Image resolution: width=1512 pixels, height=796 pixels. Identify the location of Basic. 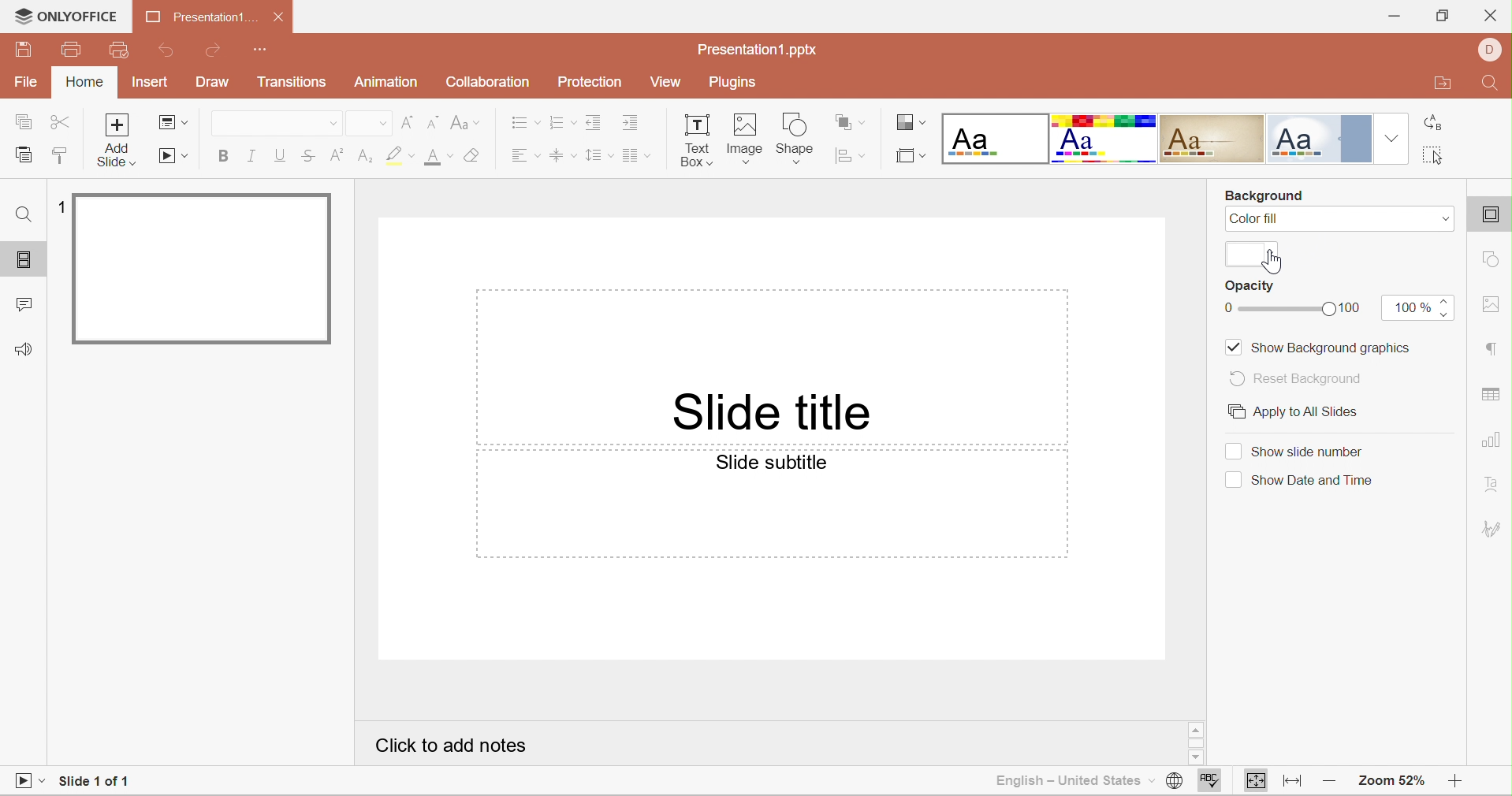
(1105, 138).